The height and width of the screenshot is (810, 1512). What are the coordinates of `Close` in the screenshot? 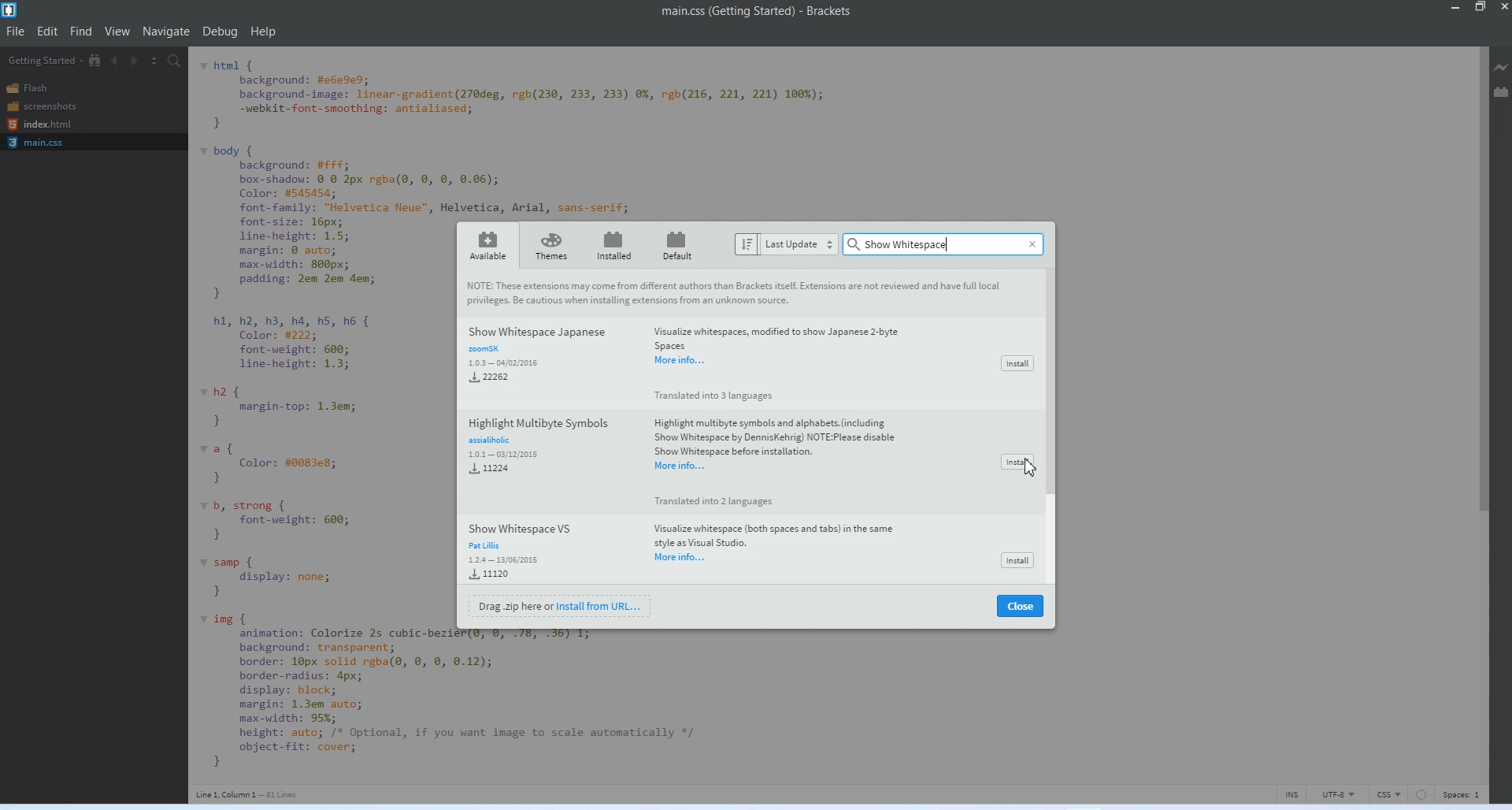 It's located at (1033, 244).